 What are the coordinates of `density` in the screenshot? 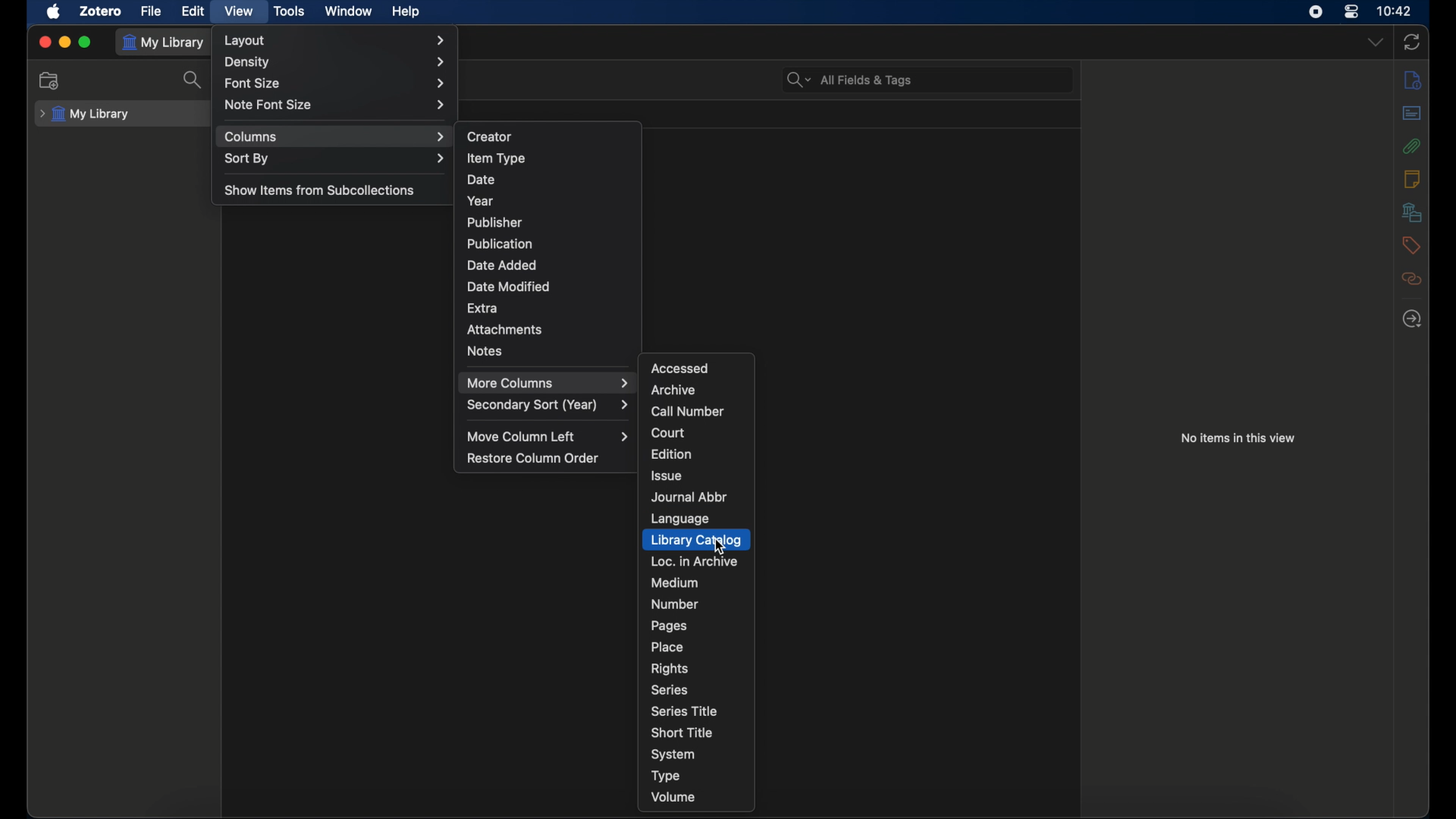 It's located at (337, 62).